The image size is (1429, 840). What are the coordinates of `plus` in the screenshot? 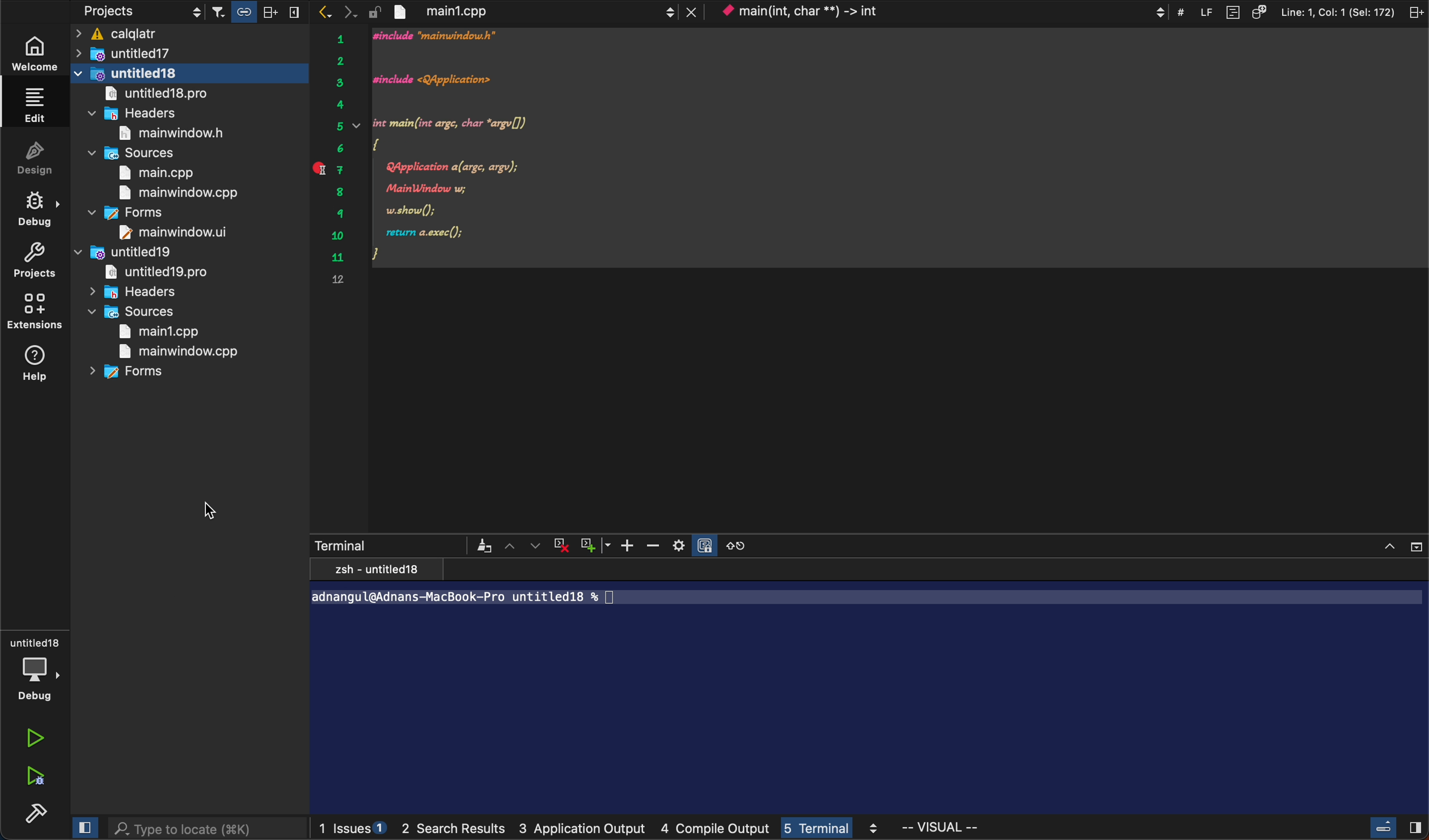 It's located at (596, 545).